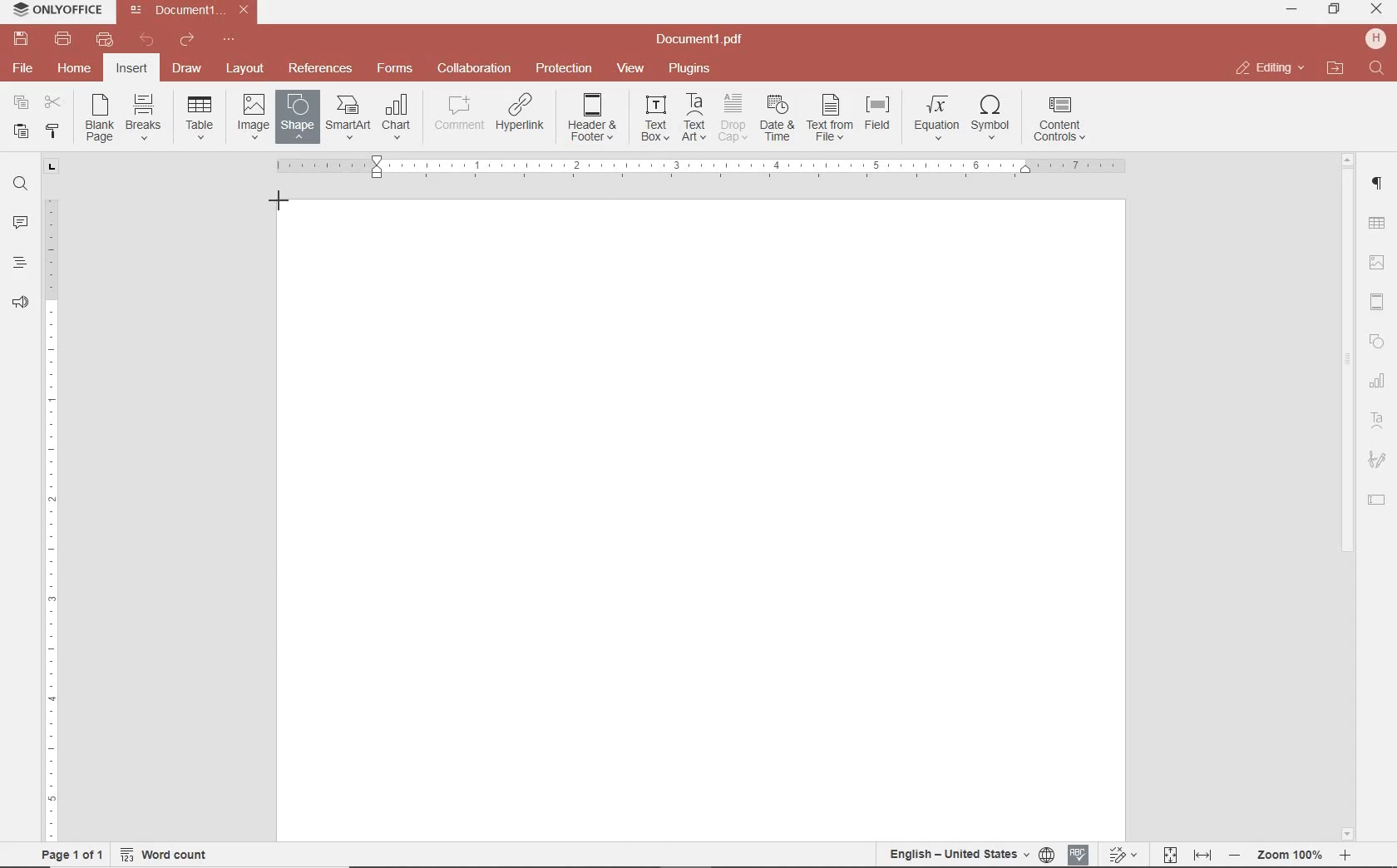 The width and height of the screenshot is (1397, 868). Describe the element at coordinates (193, 10) in the screenshot. I see `file name` at that location.